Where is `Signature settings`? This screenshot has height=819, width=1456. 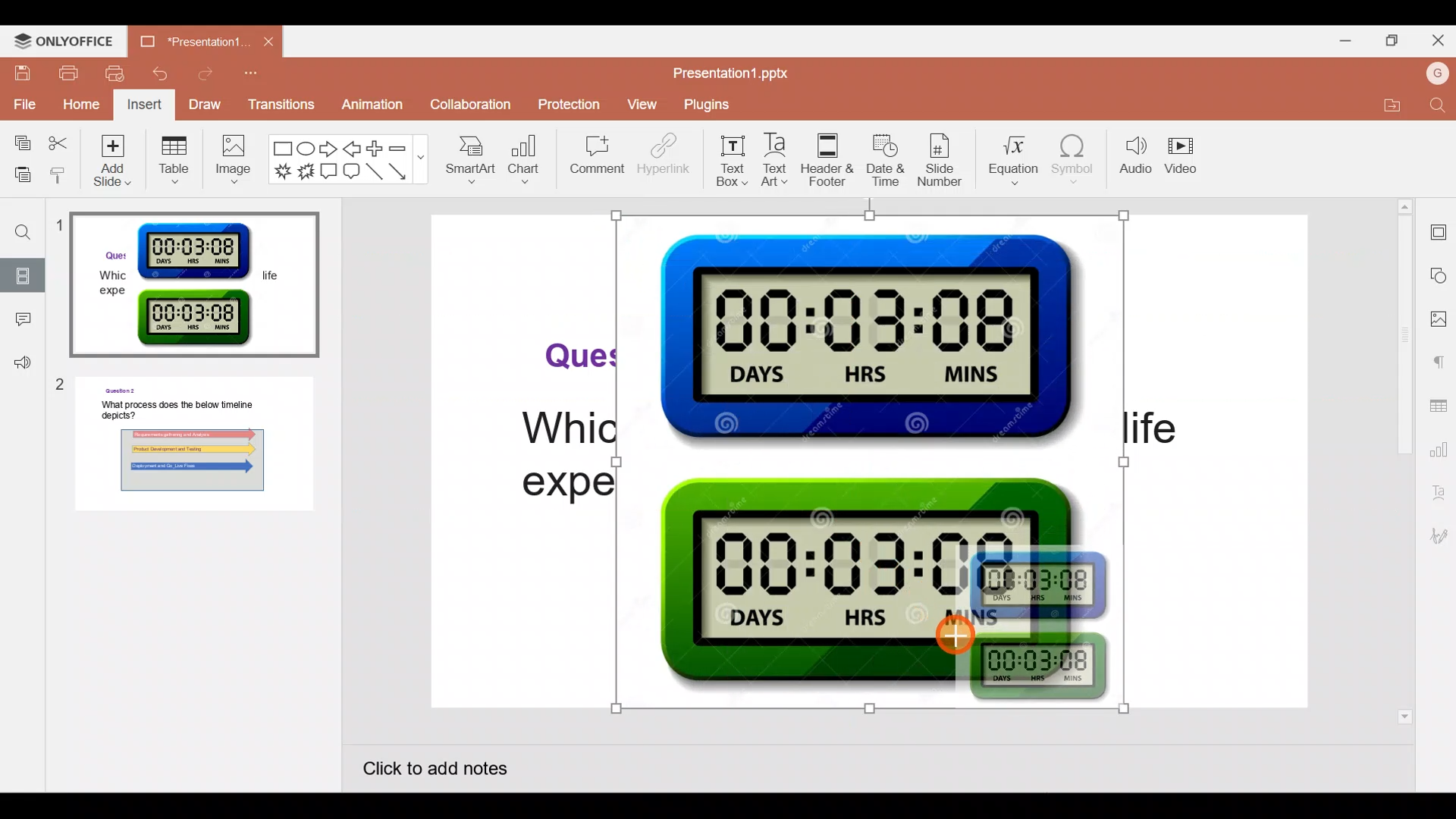
Signature settings is located at coordinates (1439, 536).